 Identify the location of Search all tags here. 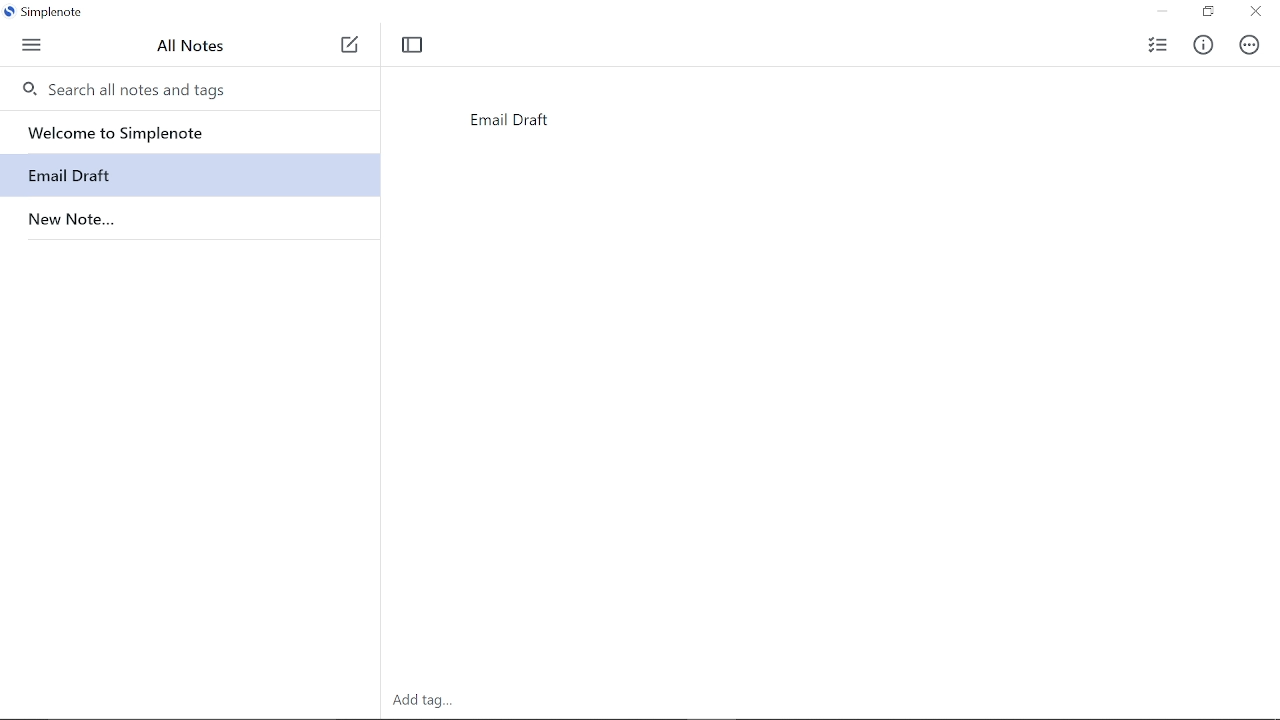
(173, 87).